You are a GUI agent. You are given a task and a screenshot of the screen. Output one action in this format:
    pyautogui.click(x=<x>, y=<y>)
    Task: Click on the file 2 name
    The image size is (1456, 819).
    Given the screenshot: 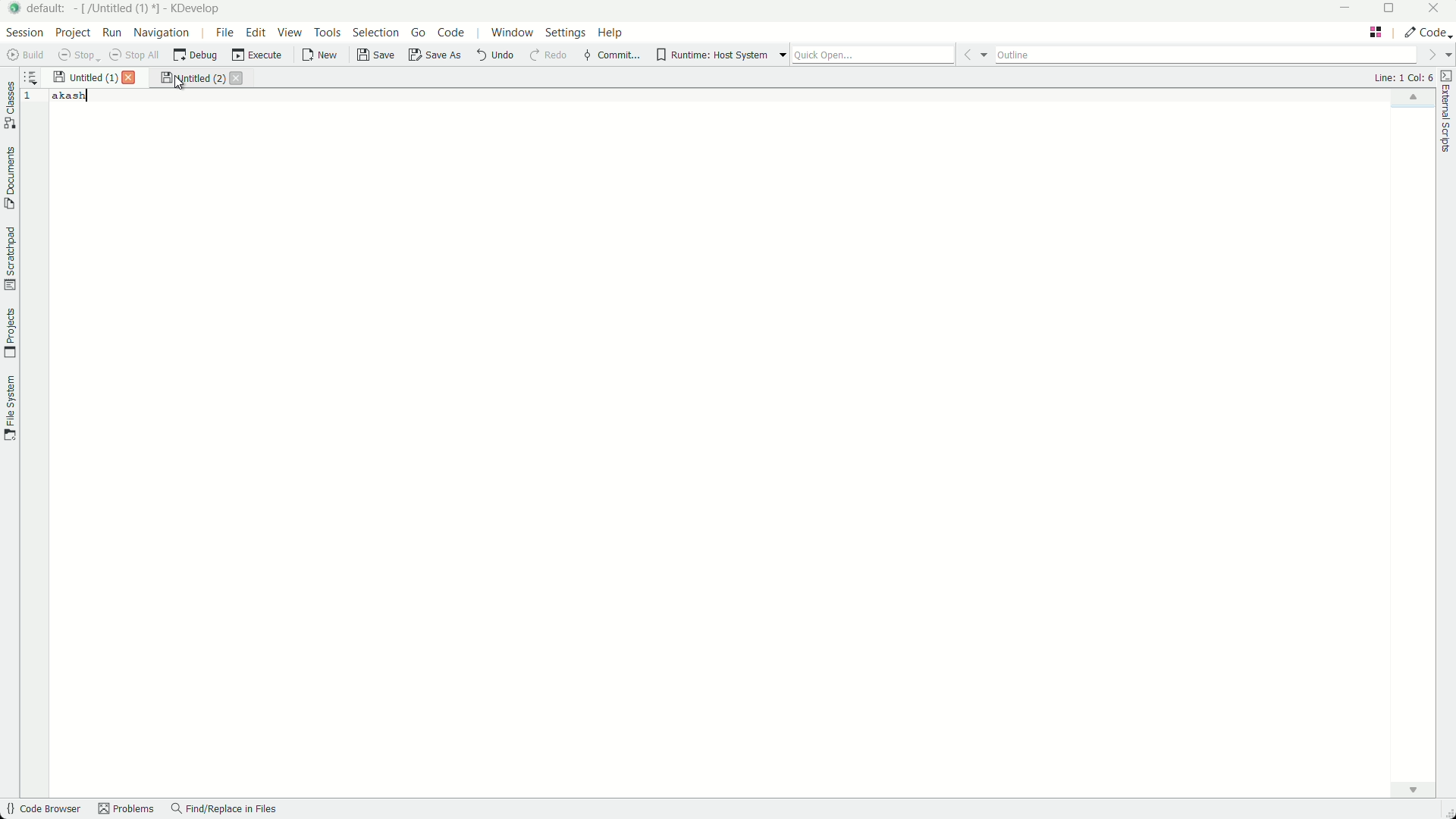 What is the action you would take?
    pyautogui.click(x=189, y=79)
    